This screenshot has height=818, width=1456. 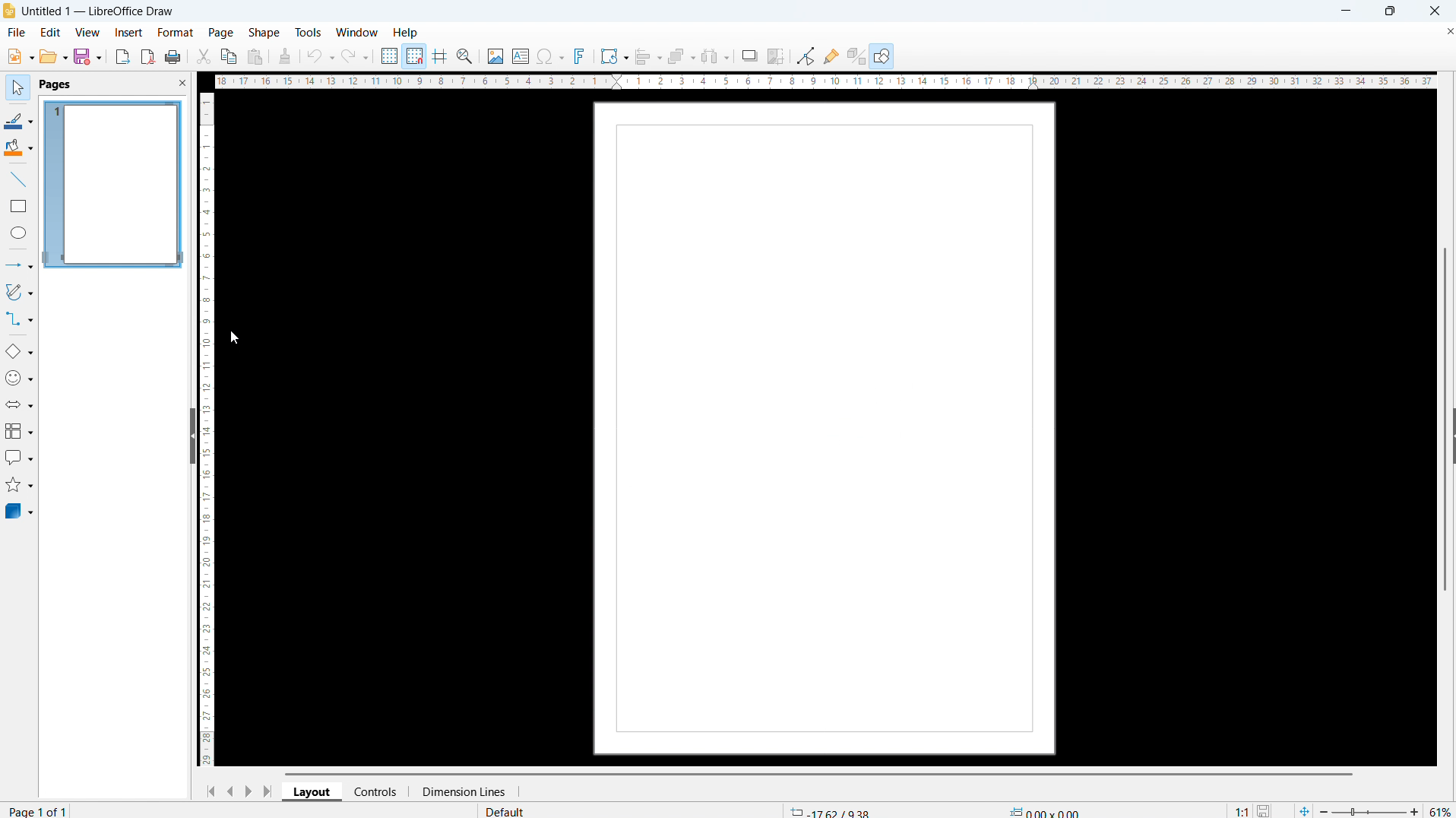 I want to click on save, so click(x=88, y=57).